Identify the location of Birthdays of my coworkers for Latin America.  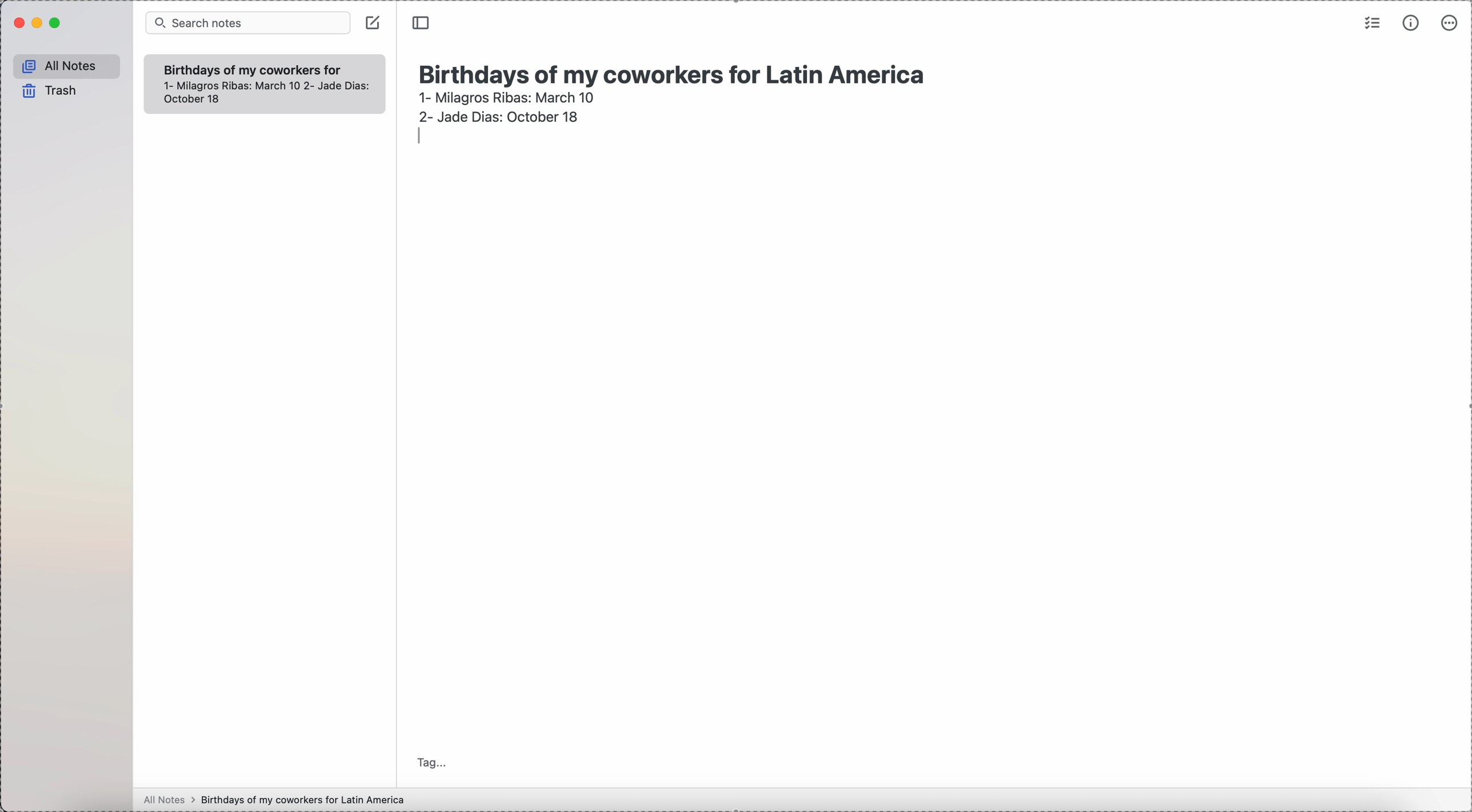
(677, 72).